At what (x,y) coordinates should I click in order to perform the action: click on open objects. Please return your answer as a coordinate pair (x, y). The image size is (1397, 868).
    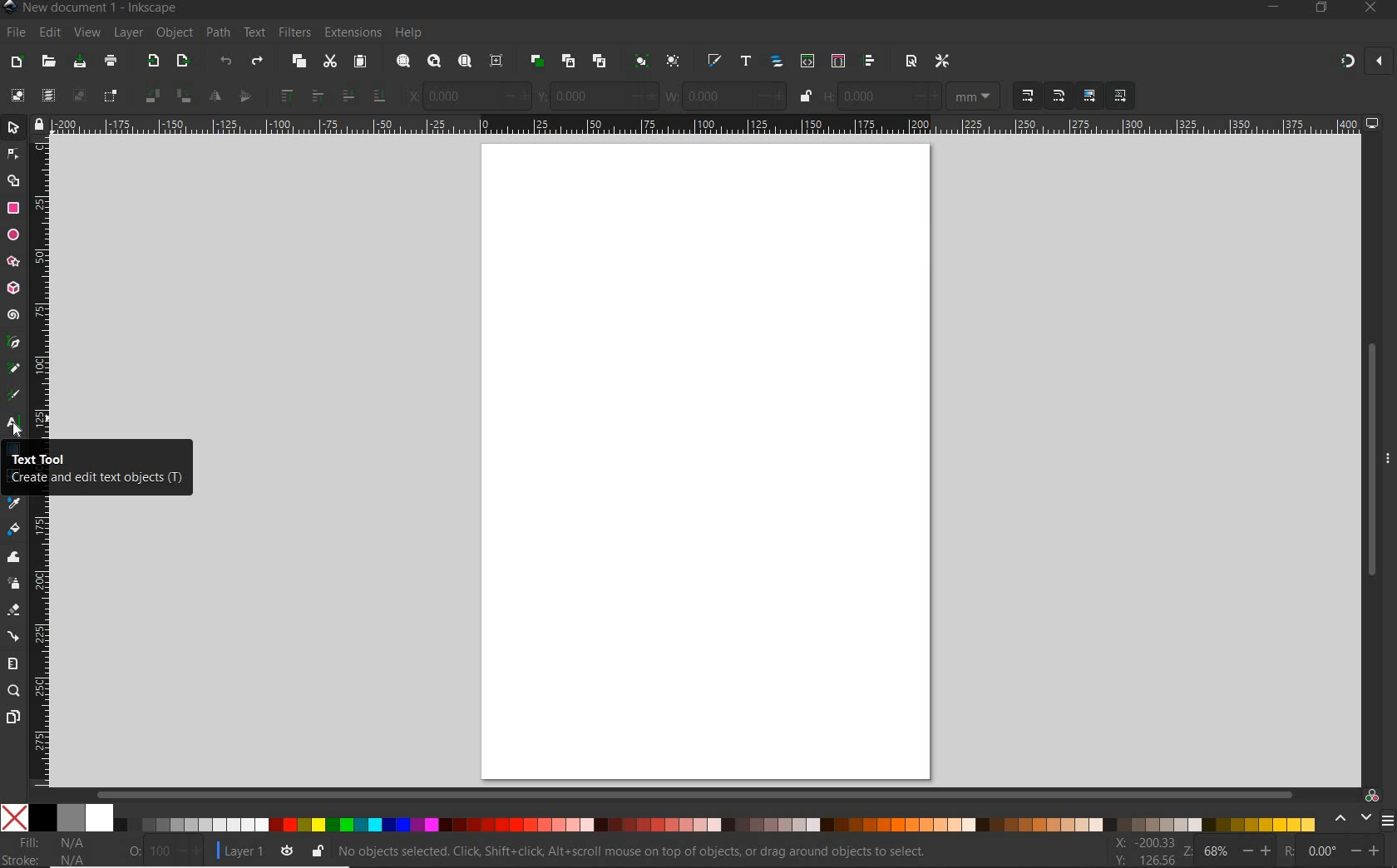
    Looking at the image, I should click on (778, 62).